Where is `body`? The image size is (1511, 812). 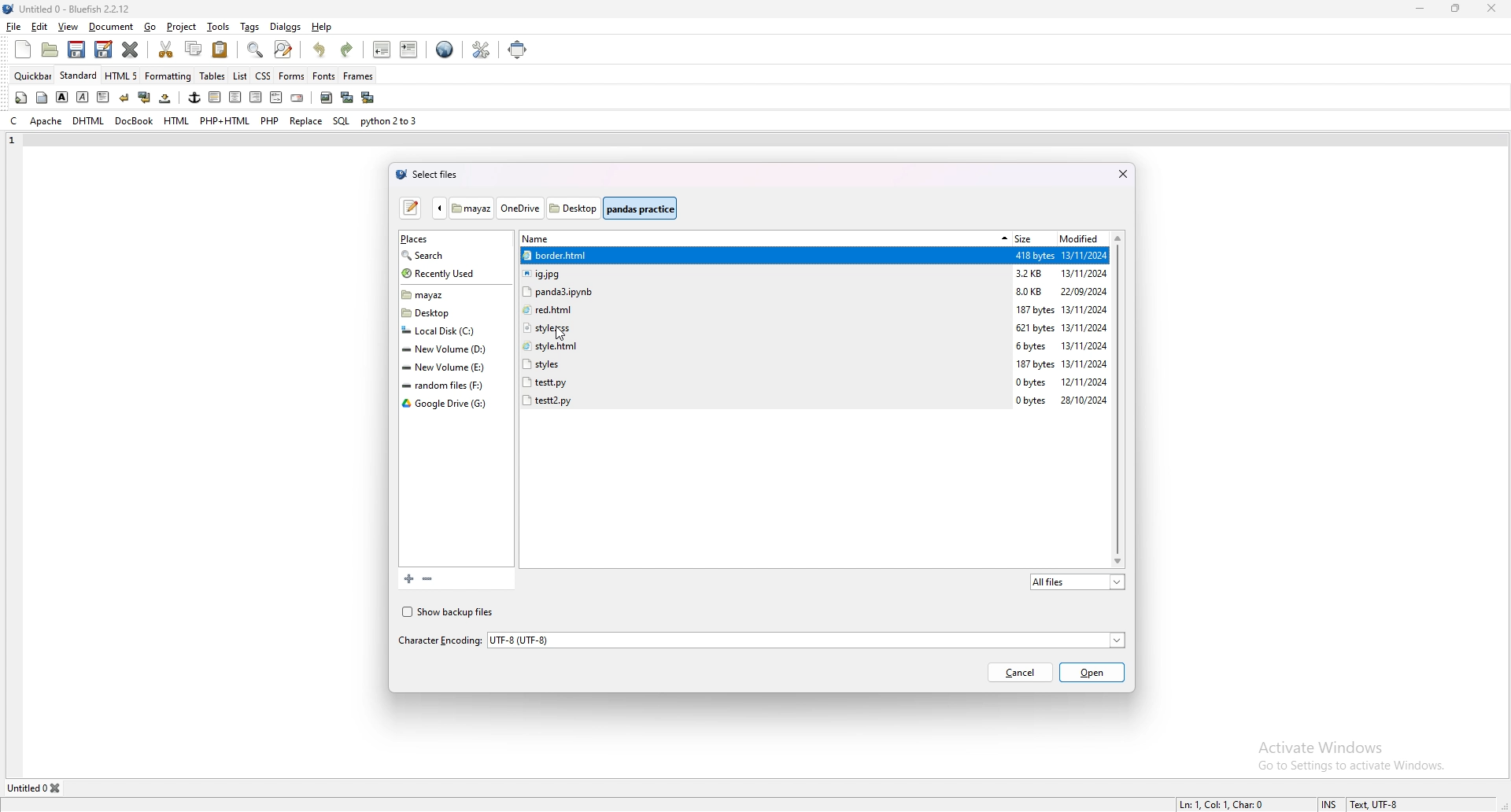
body is located at coordinates (42, 98).